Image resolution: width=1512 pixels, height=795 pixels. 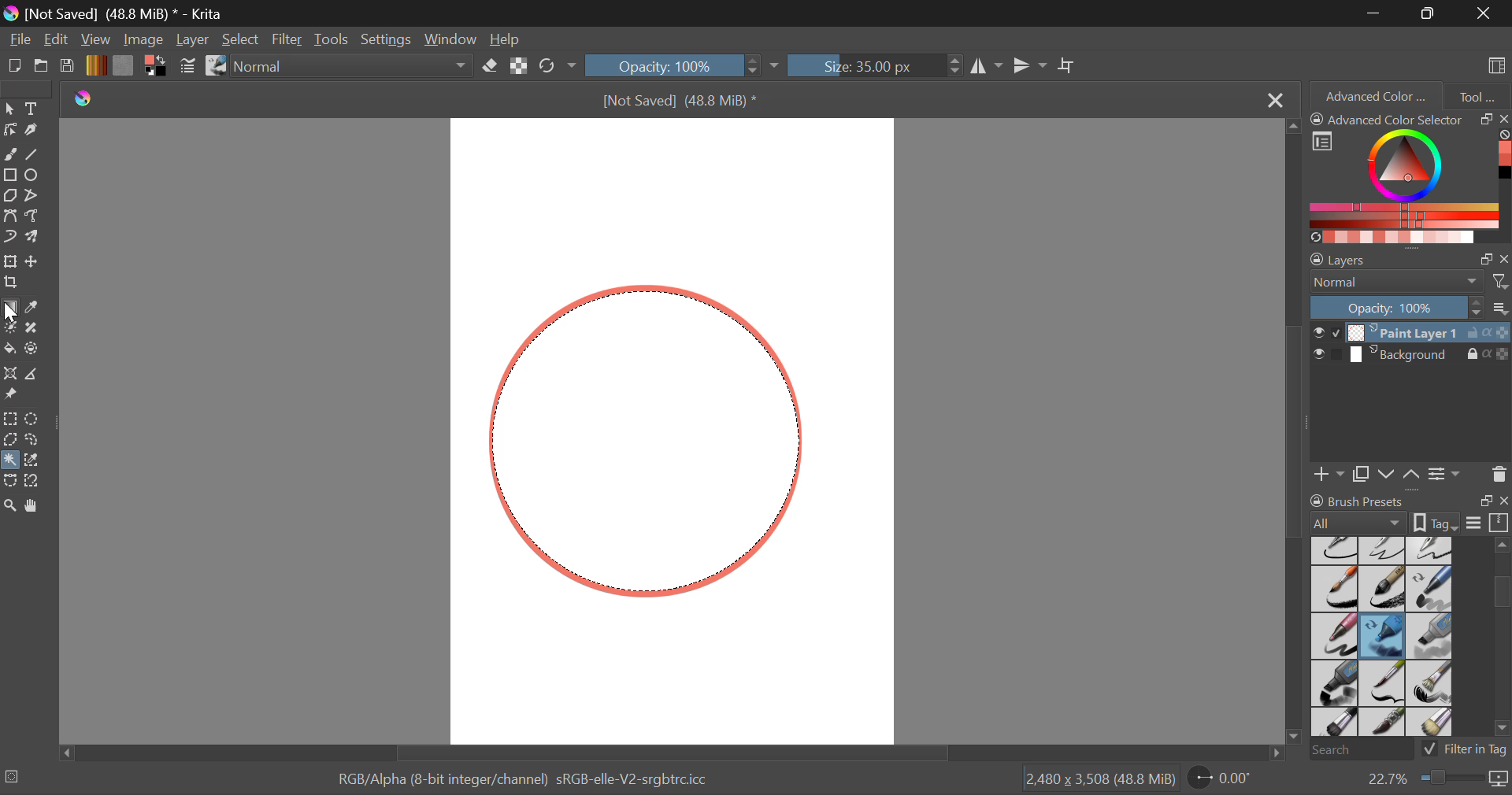 I want to click on Gradient, so click(x=95, y=65).